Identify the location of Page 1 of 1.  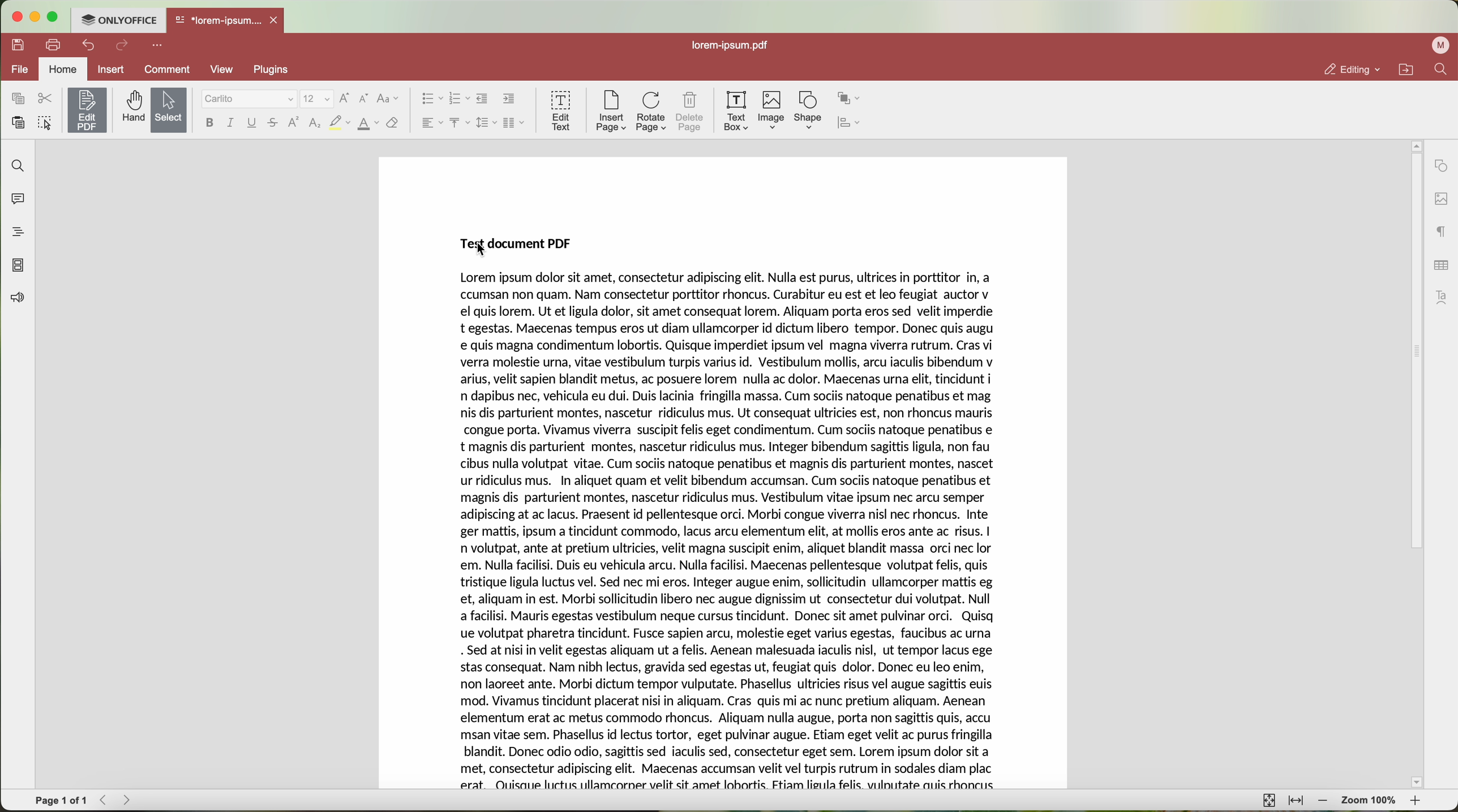
(61, 800).